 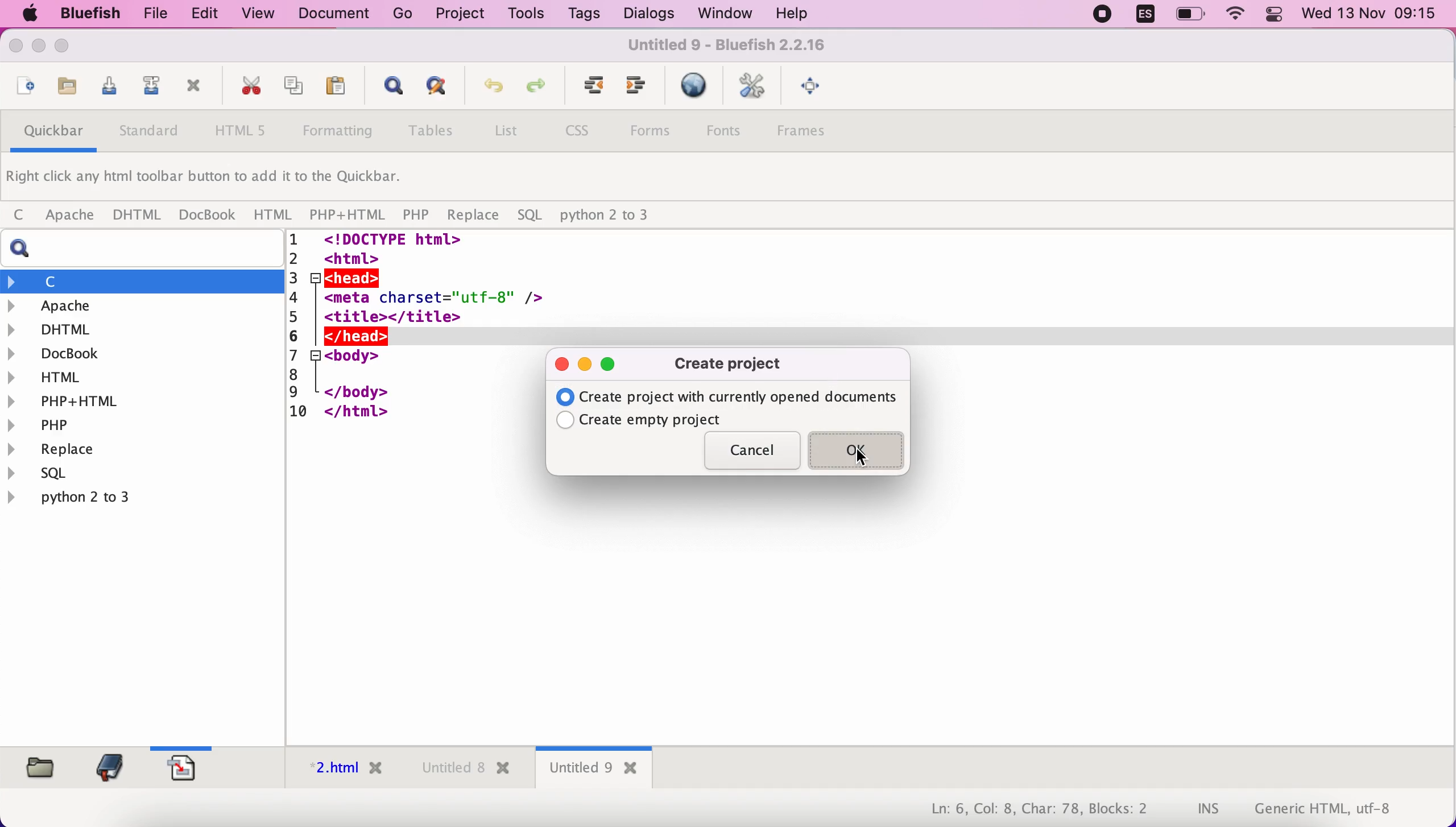 I want to click on resize, so click(x=39, y=49).